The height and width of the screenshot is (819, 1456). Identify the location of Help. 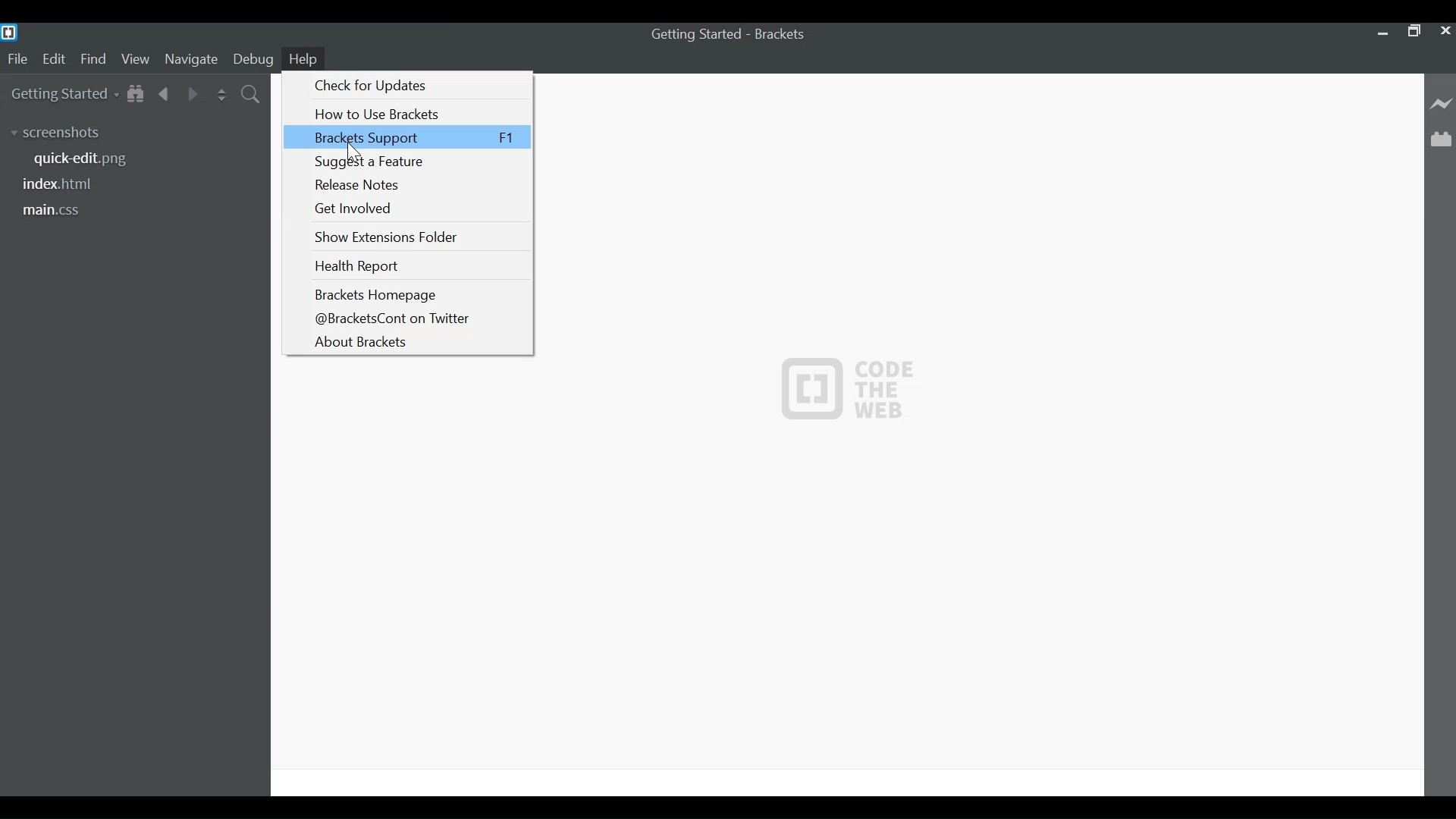
(305, 58).